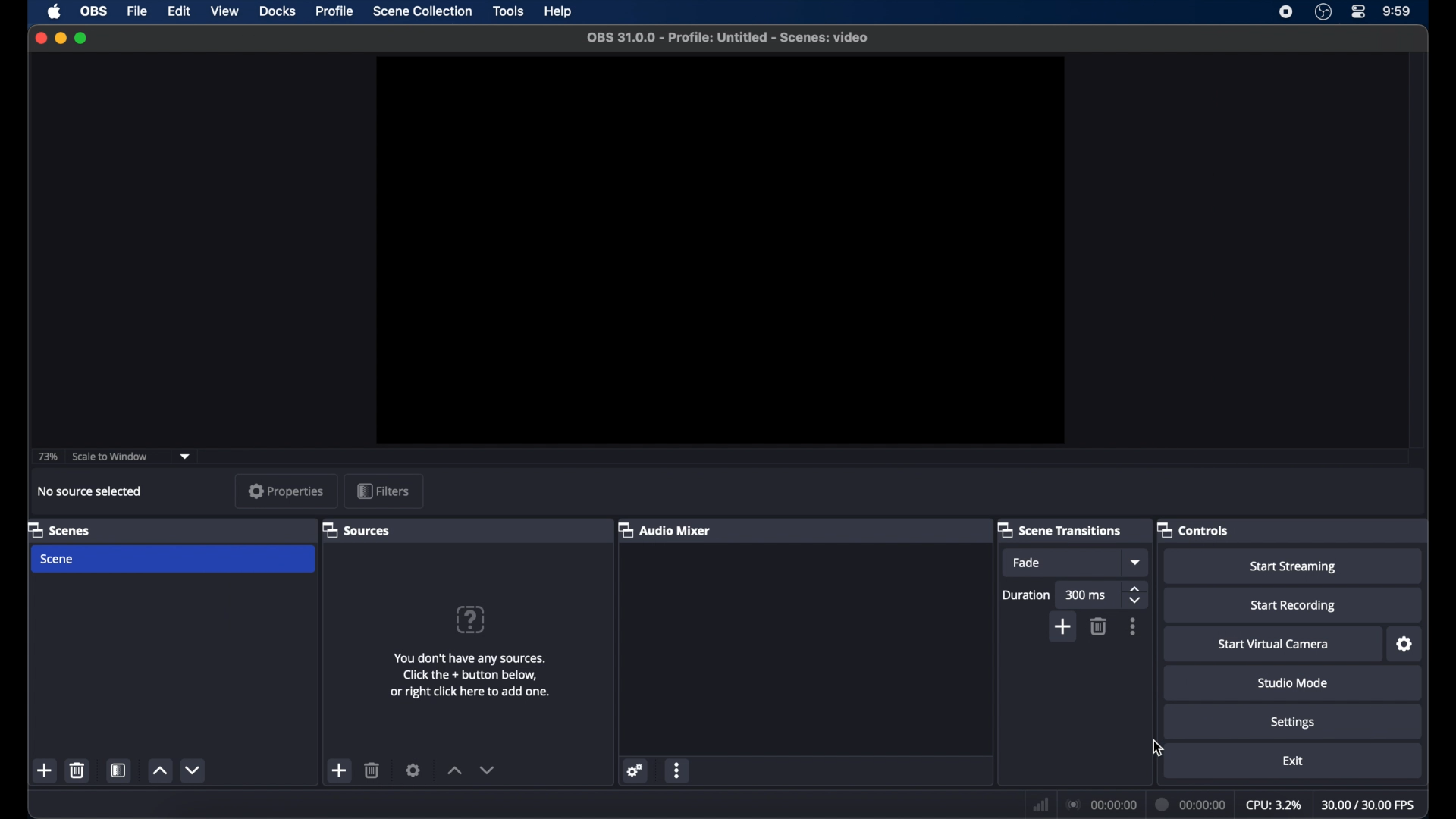  I want to click on scene transitions, so click(1059, 529).